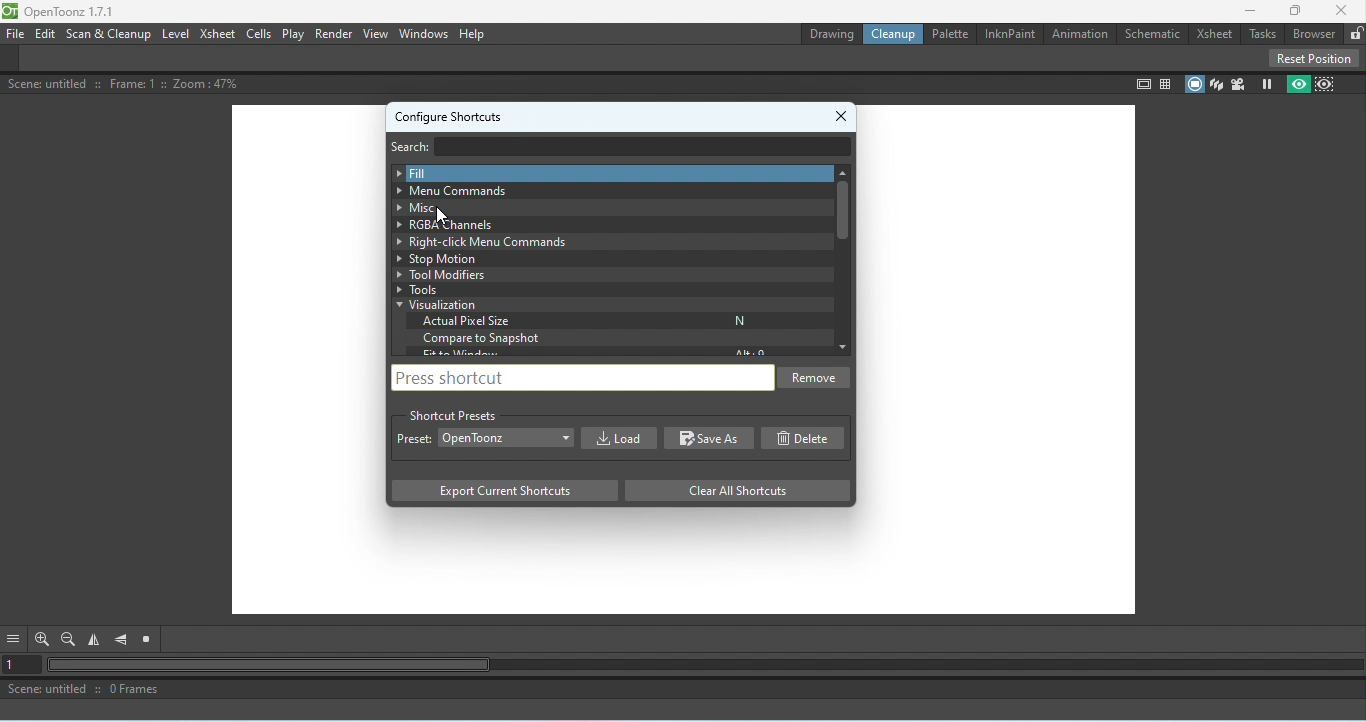 Image resolution: width=1366 pixels, height=722 pixels. Describe the element at coordinates (503, 492) in the screenshot. I see `Export current shortcuts` at that location.